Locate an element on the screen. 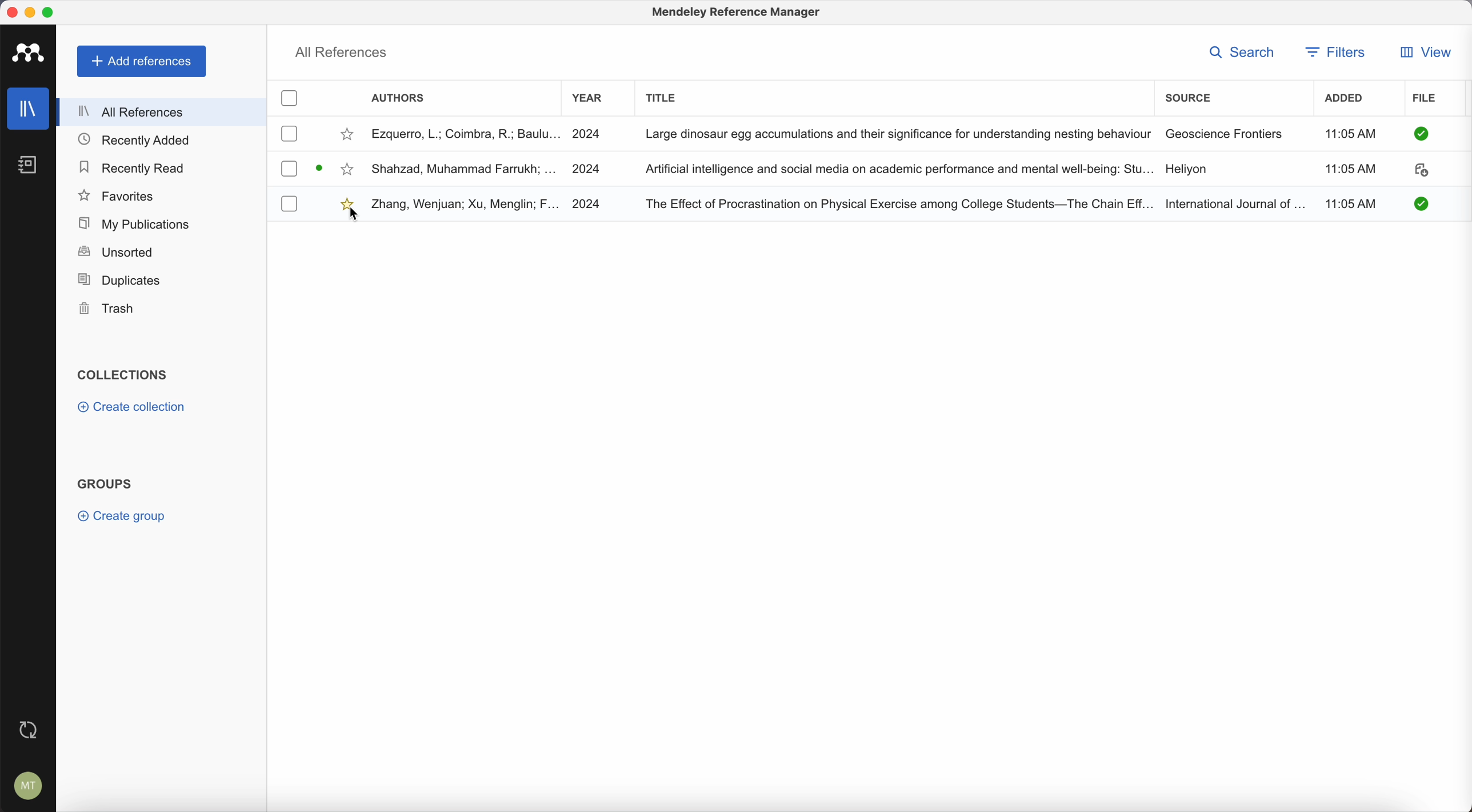 The height and width of the screenshot is (812, 1472). collections is located at coordinates (122, 375).